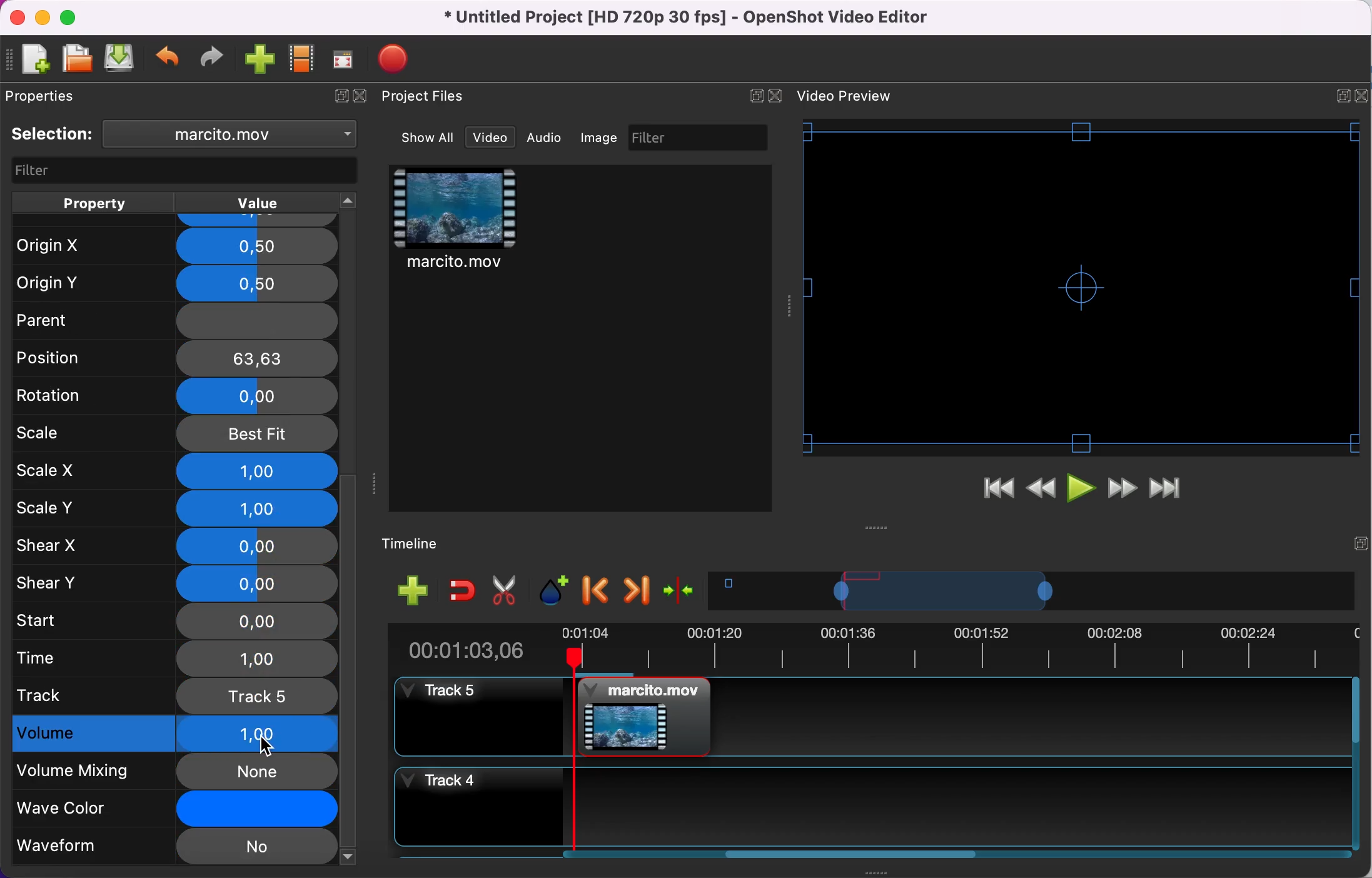  I want to click on redo, so click(212, 58).